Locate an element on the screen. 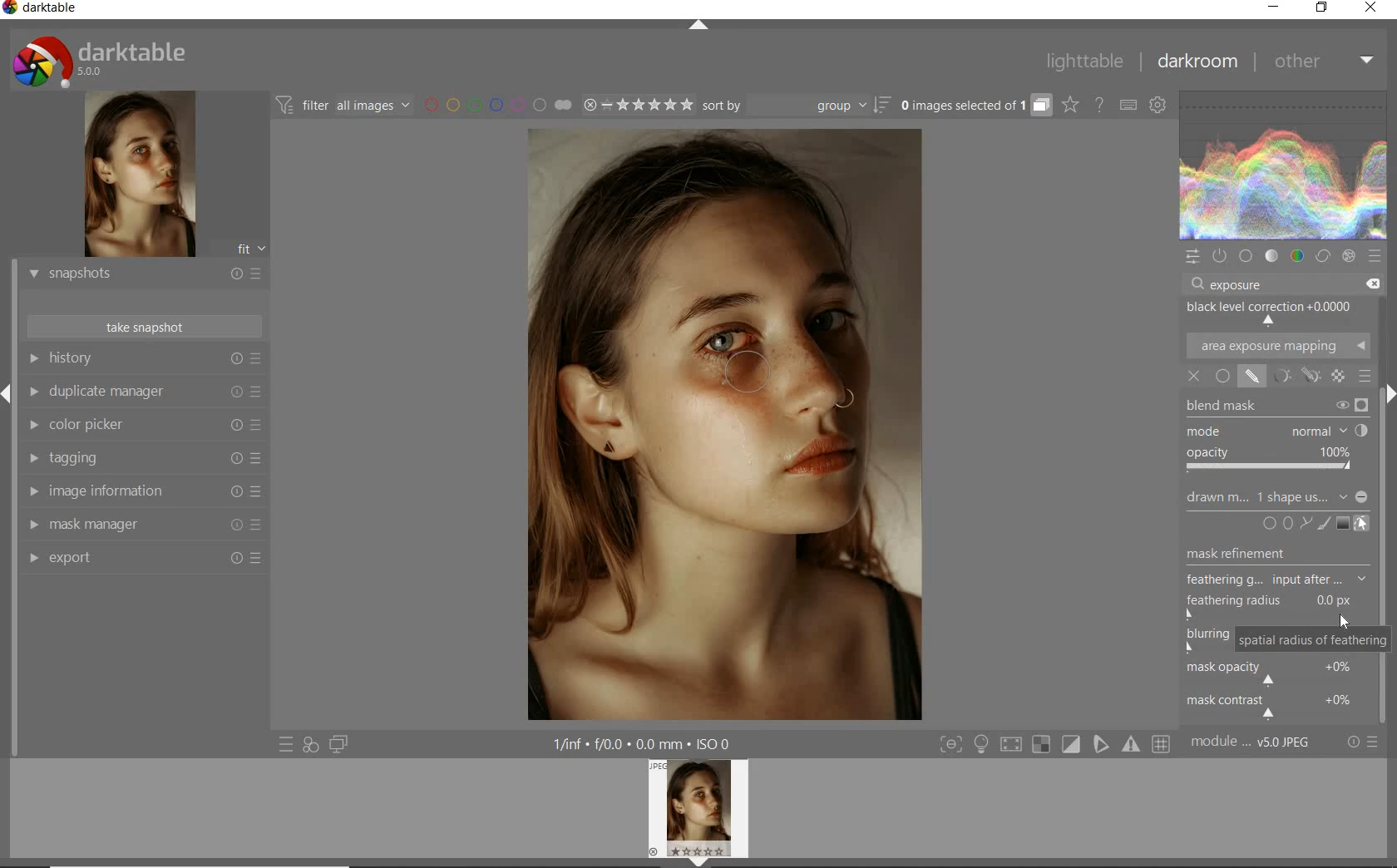  UNIFORMLY is located at coordinates (1222, 376).